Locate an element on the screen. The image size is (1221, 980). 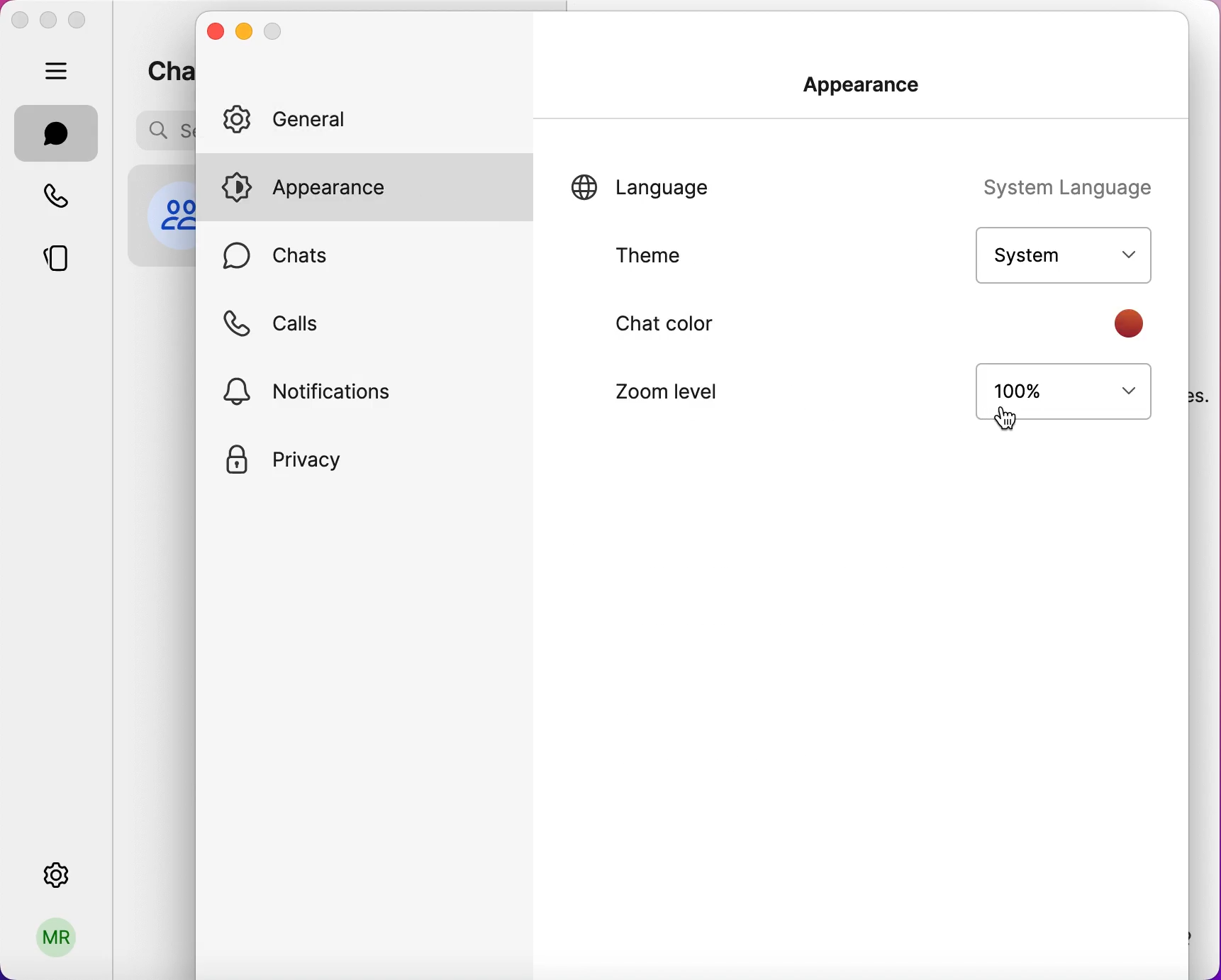
appearance is located at coordinates (372, 189).